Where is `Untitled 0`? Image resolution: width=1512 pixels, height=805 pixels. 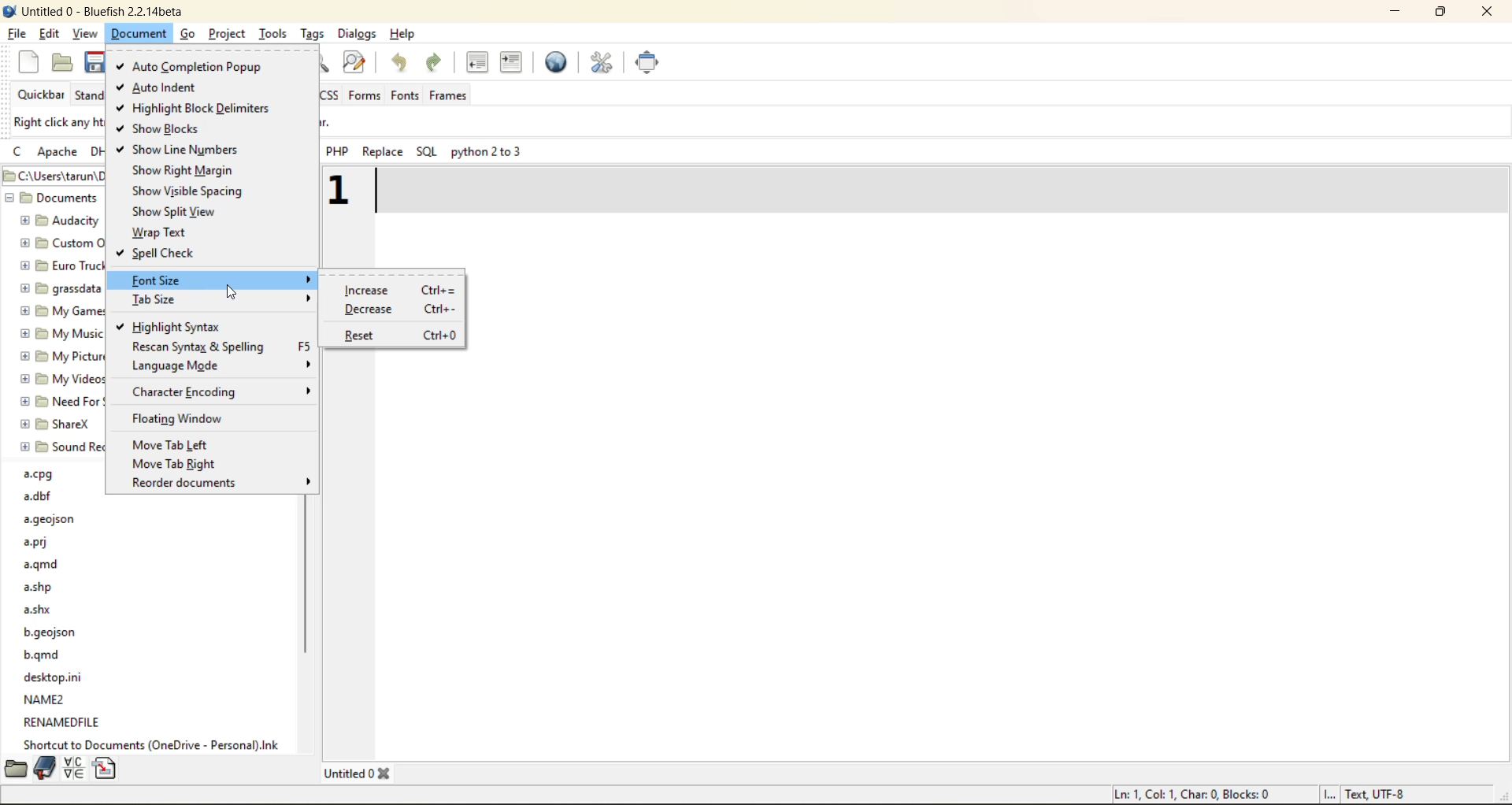 Untitled 0 is located at coordinates (348, 773).